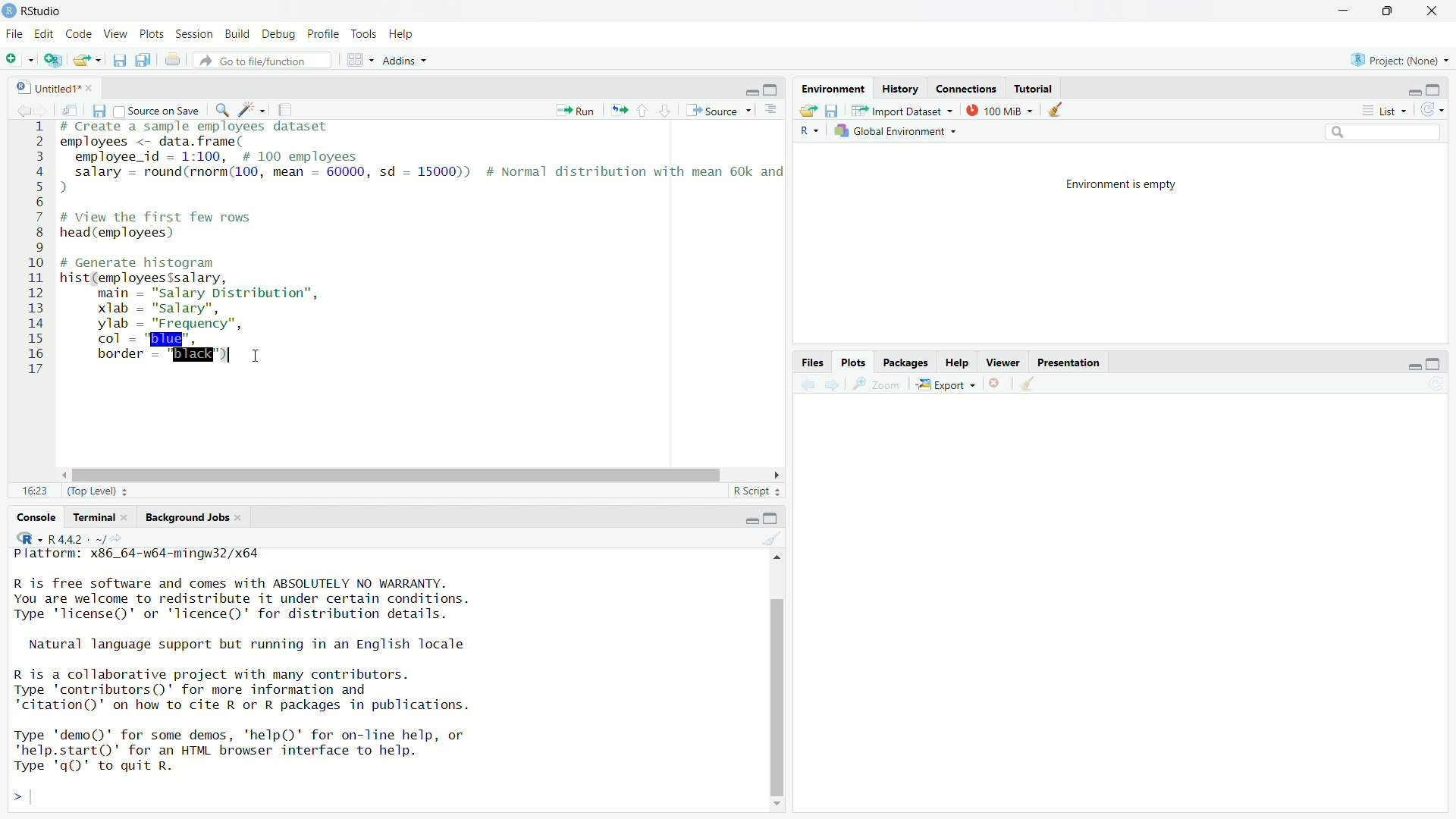  What do you see at coordinates (772, 538) in the screenshot?
I see `clean` at bounding box center [772, 538].